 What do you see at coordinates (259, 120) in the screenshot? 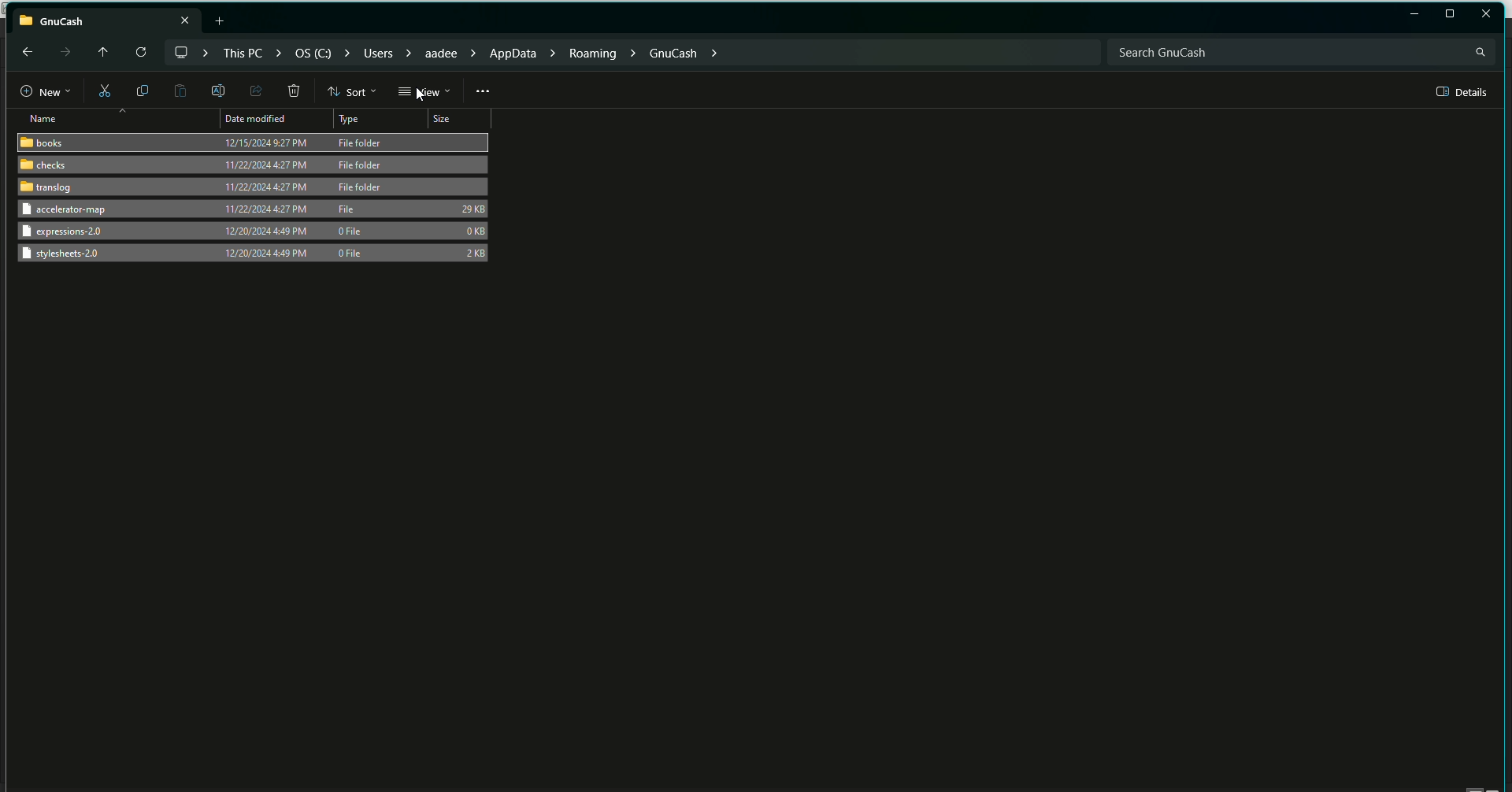
I see `Date Modified` at bounding box center [259, 120].